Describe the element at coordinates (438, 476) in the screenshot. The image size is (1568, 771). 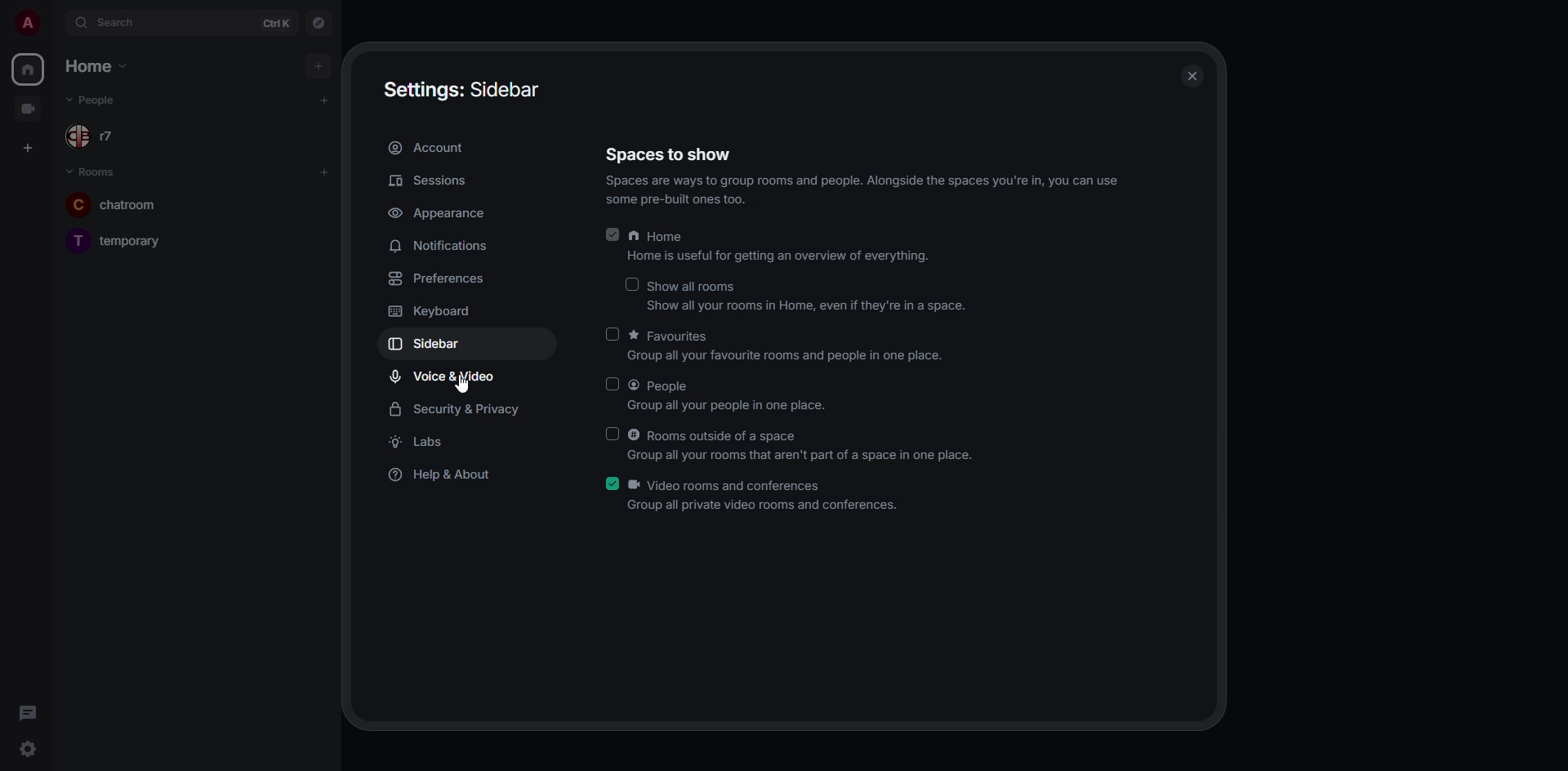
I see `help & about` at that location.